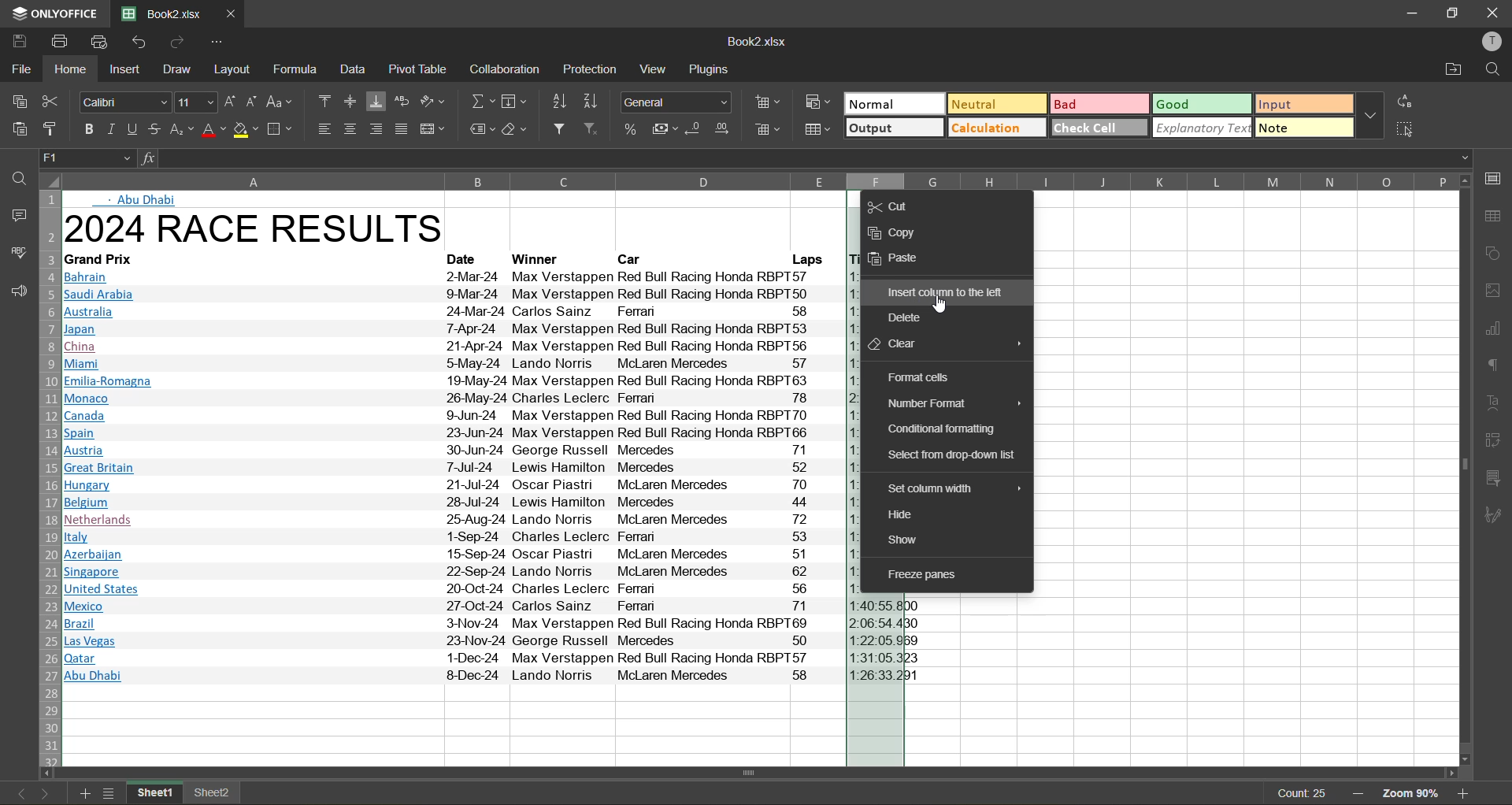  I want to click on align right, so click(378, 128).